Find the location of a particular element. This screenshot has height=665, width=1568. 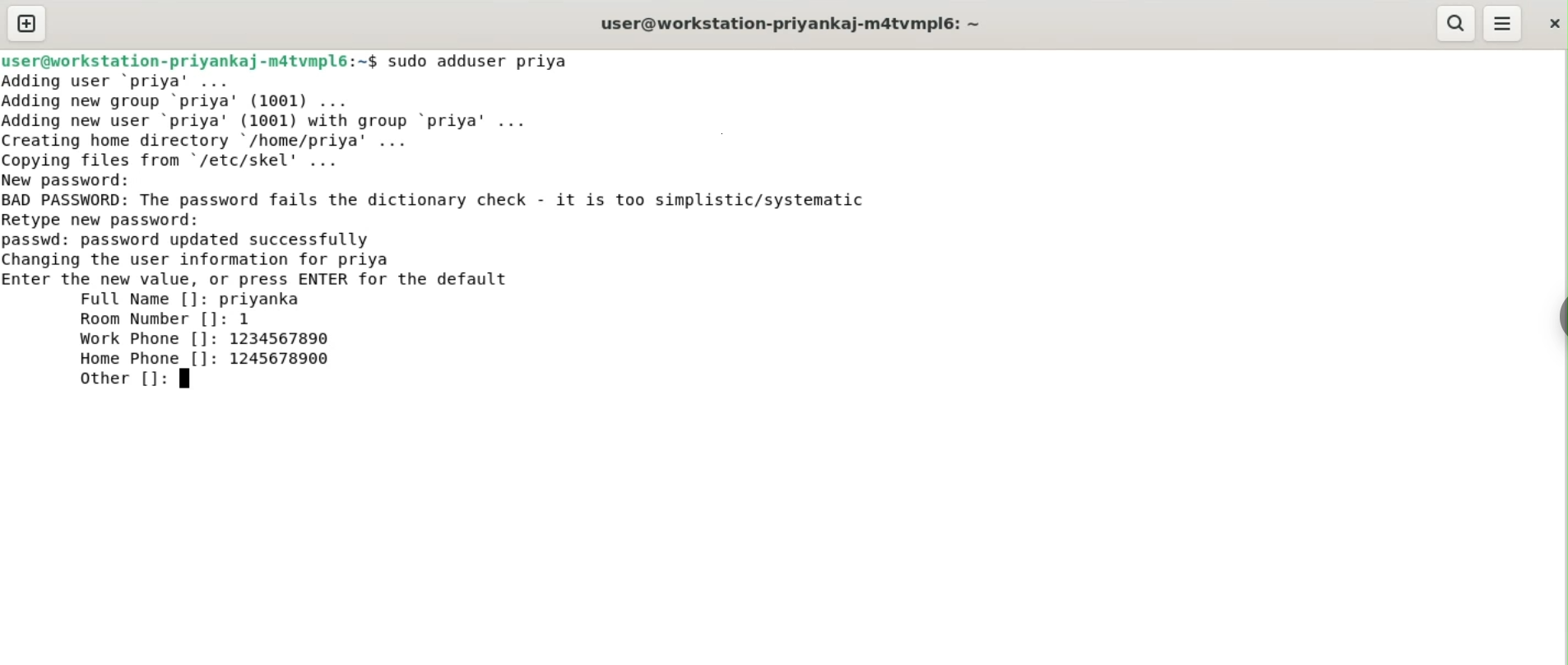

sudo adduser priya is located at coordinates (489, 61).